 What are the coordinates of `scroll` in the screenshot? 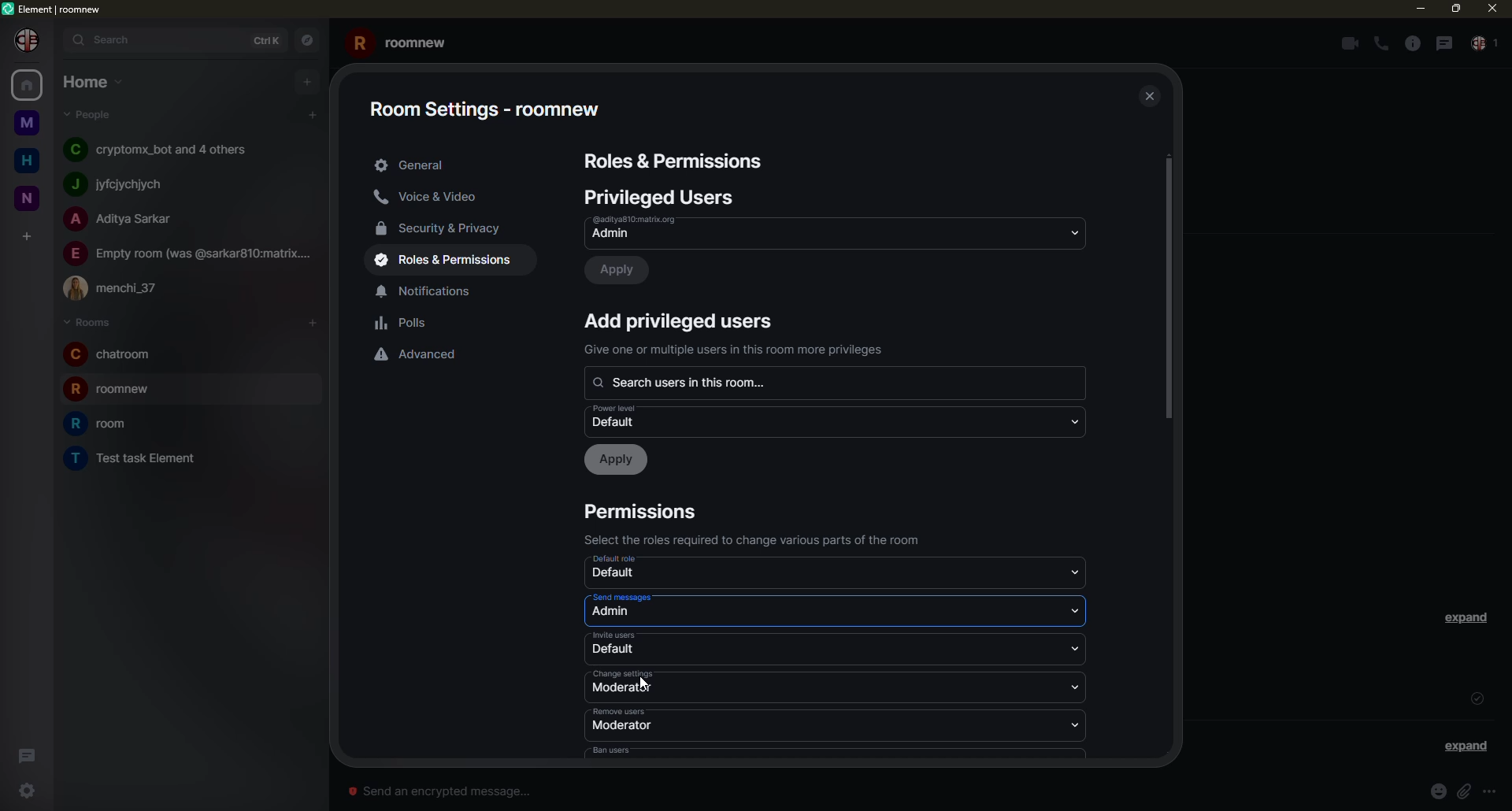 It's located at (1169, 291).